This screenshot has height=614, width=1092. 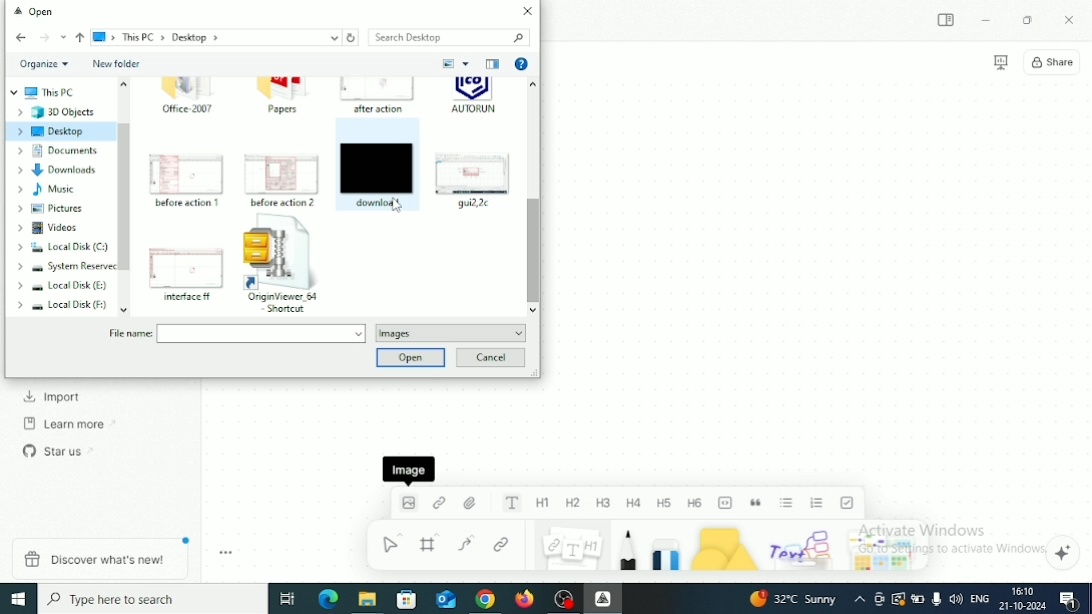 I want to click on Search Desktop, so click(x=448, y=37).